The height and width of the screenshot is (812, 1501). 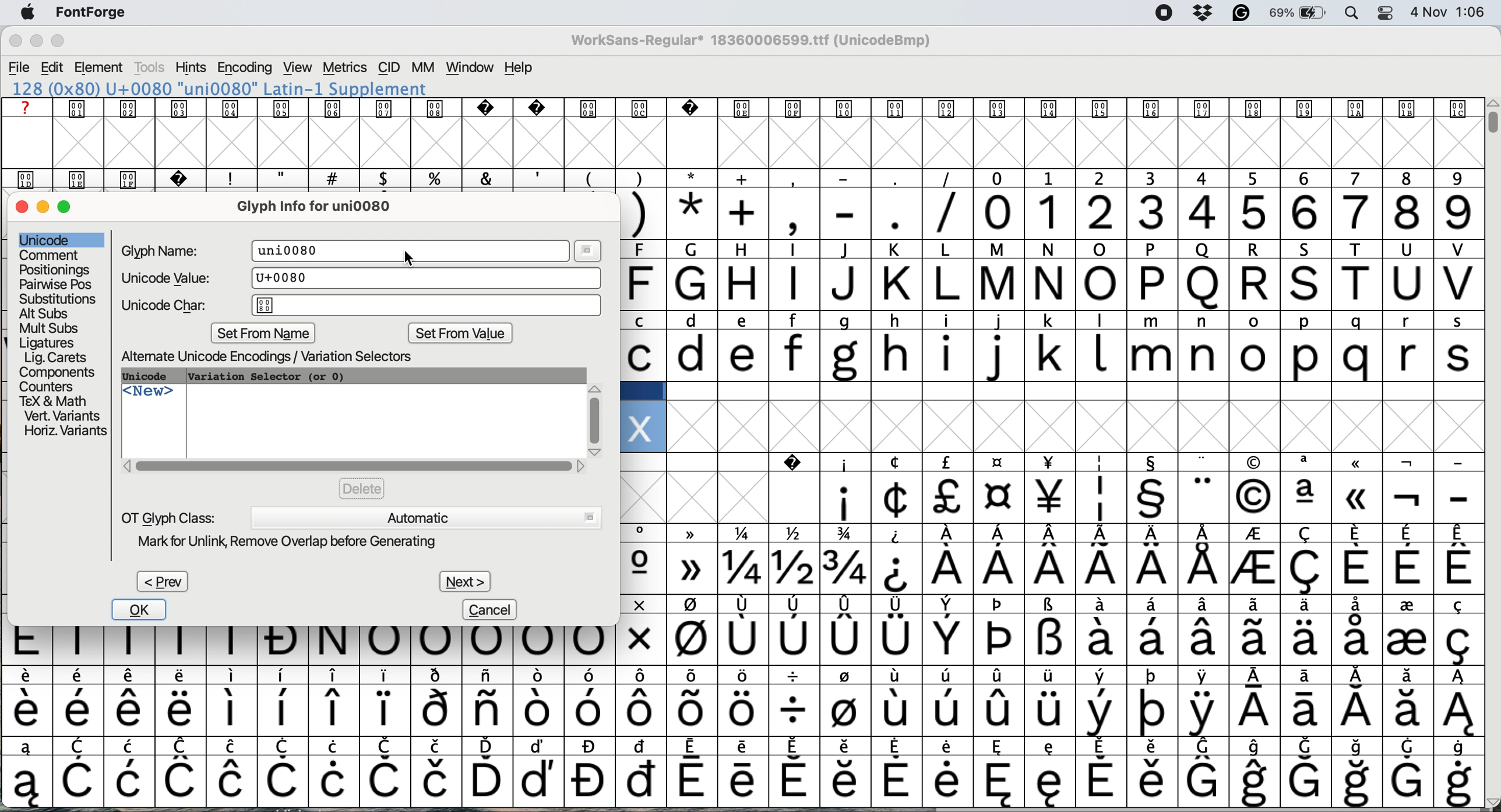 I want to click on SPECIAL CHARACTERS, so click(x=1051, y=463).